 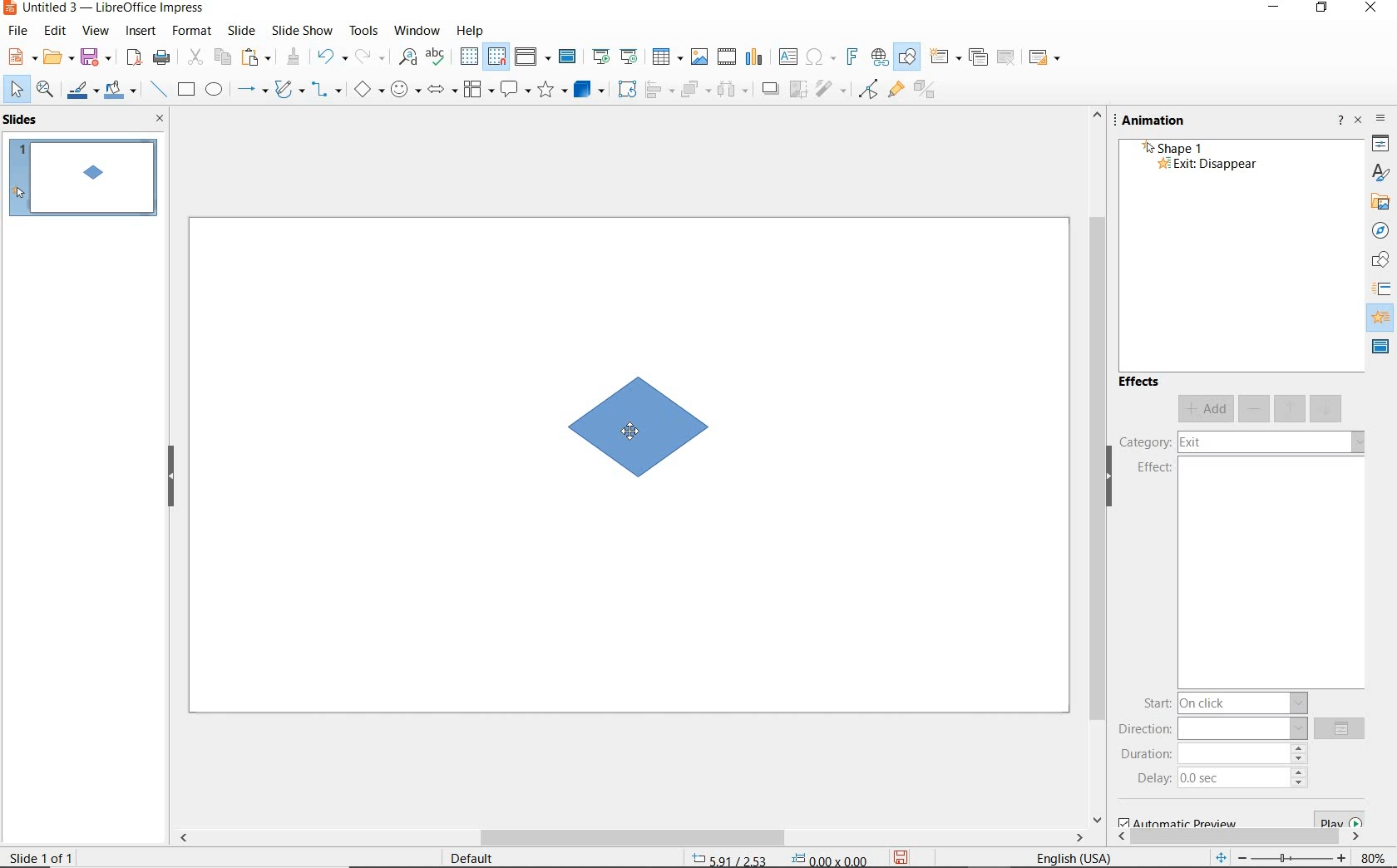 What do you see at coordinates (728, 59) in the screenshot?
I see `insert audio or video` at bounding box center [728, 59].